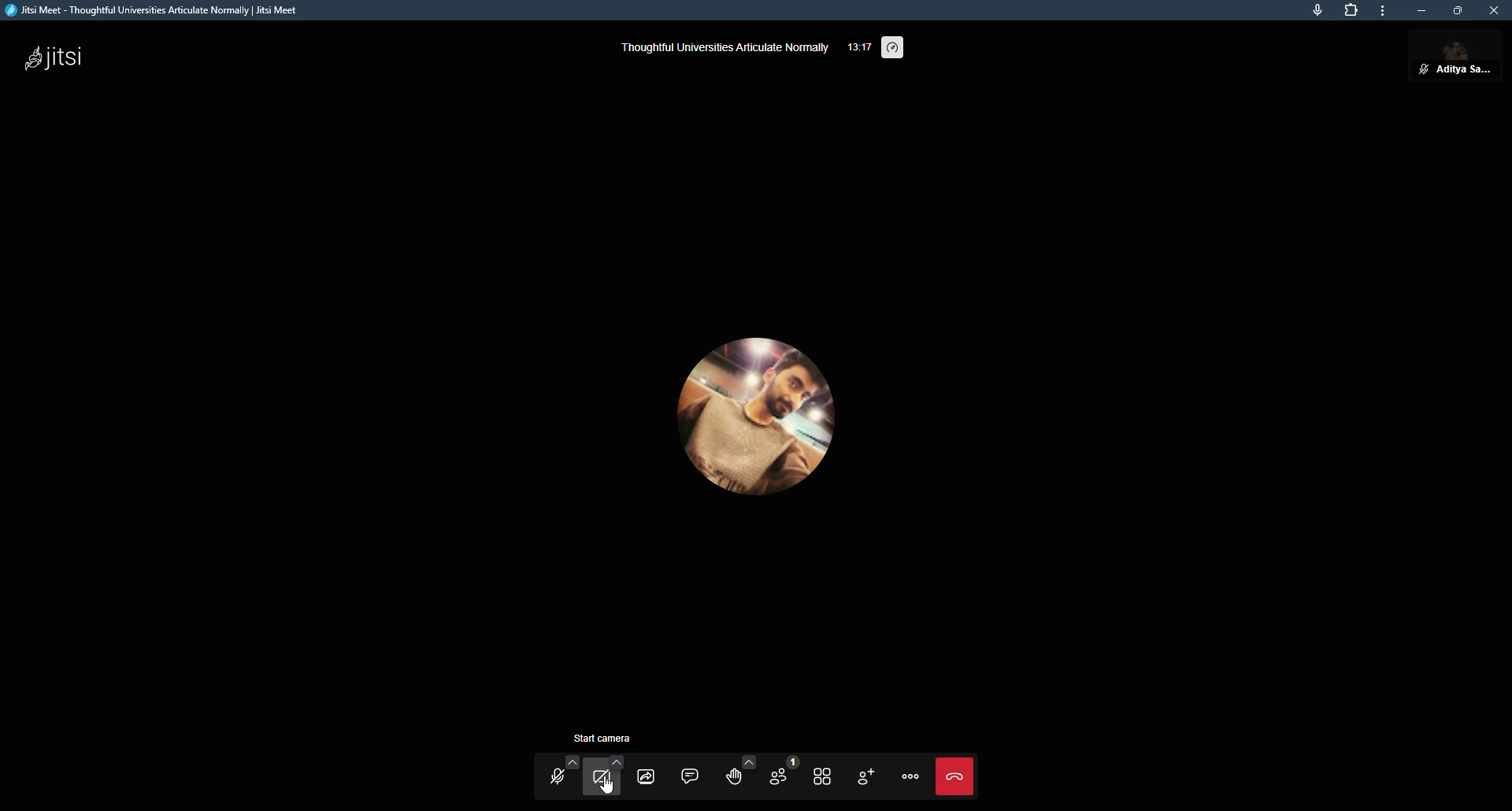  Describe the element at coordinates (891, 47) in the screenshot. I see `performance settings` at that location.